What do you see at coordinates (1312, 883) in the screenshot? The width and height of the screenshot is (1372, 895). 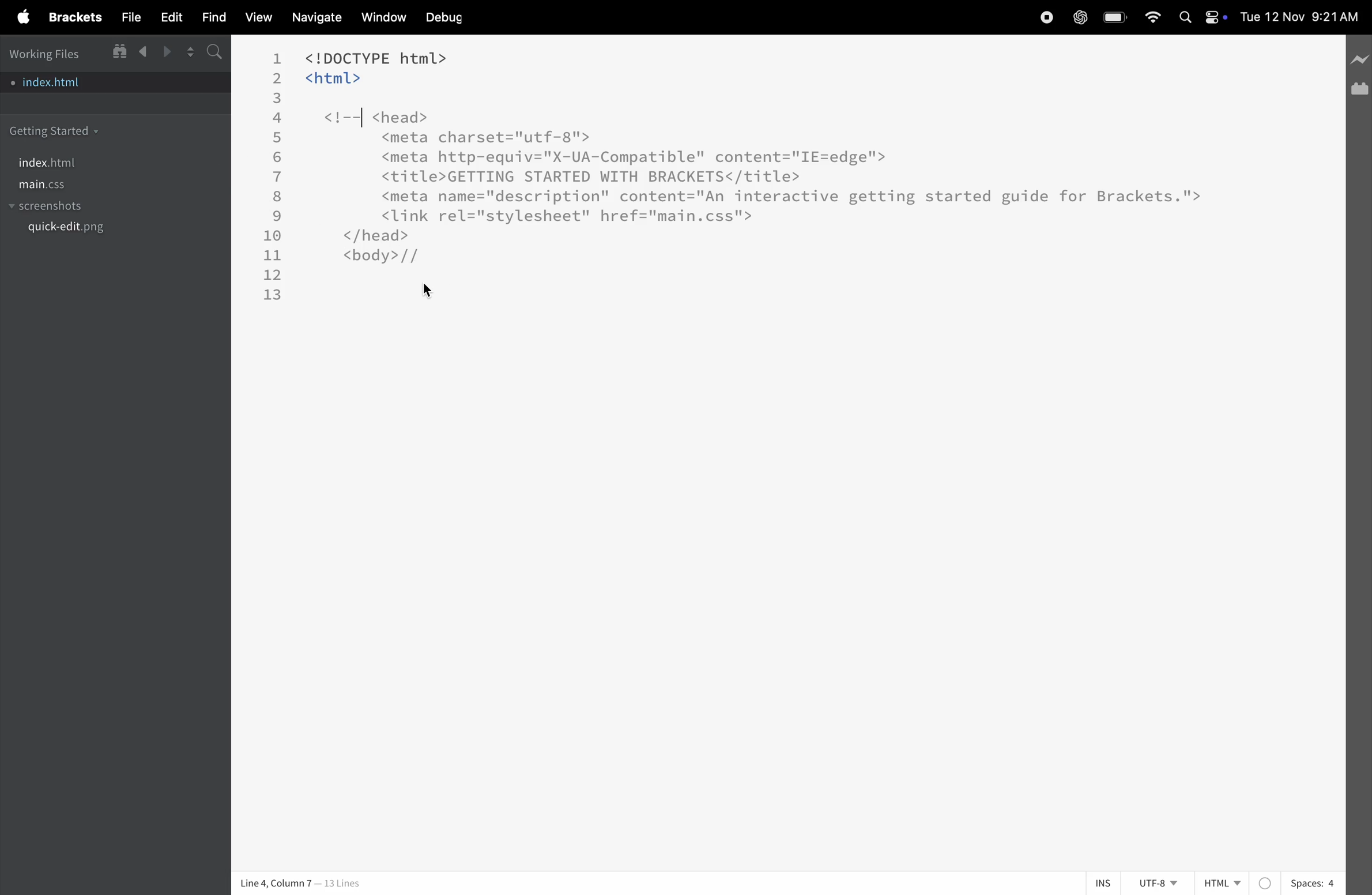 I see `spaces 4` at bounding box center [1312, 883].